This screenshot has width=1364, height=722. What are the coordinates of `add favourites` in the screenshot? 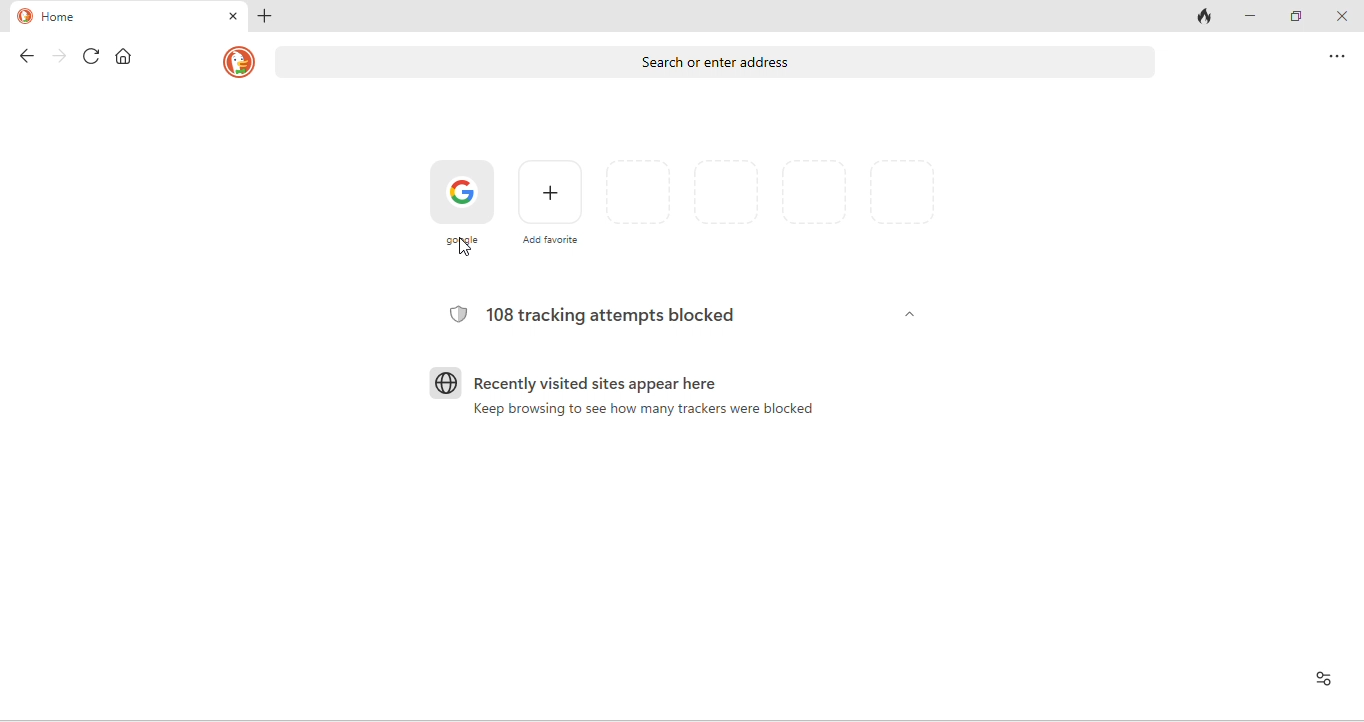 It's located at (552, 201).